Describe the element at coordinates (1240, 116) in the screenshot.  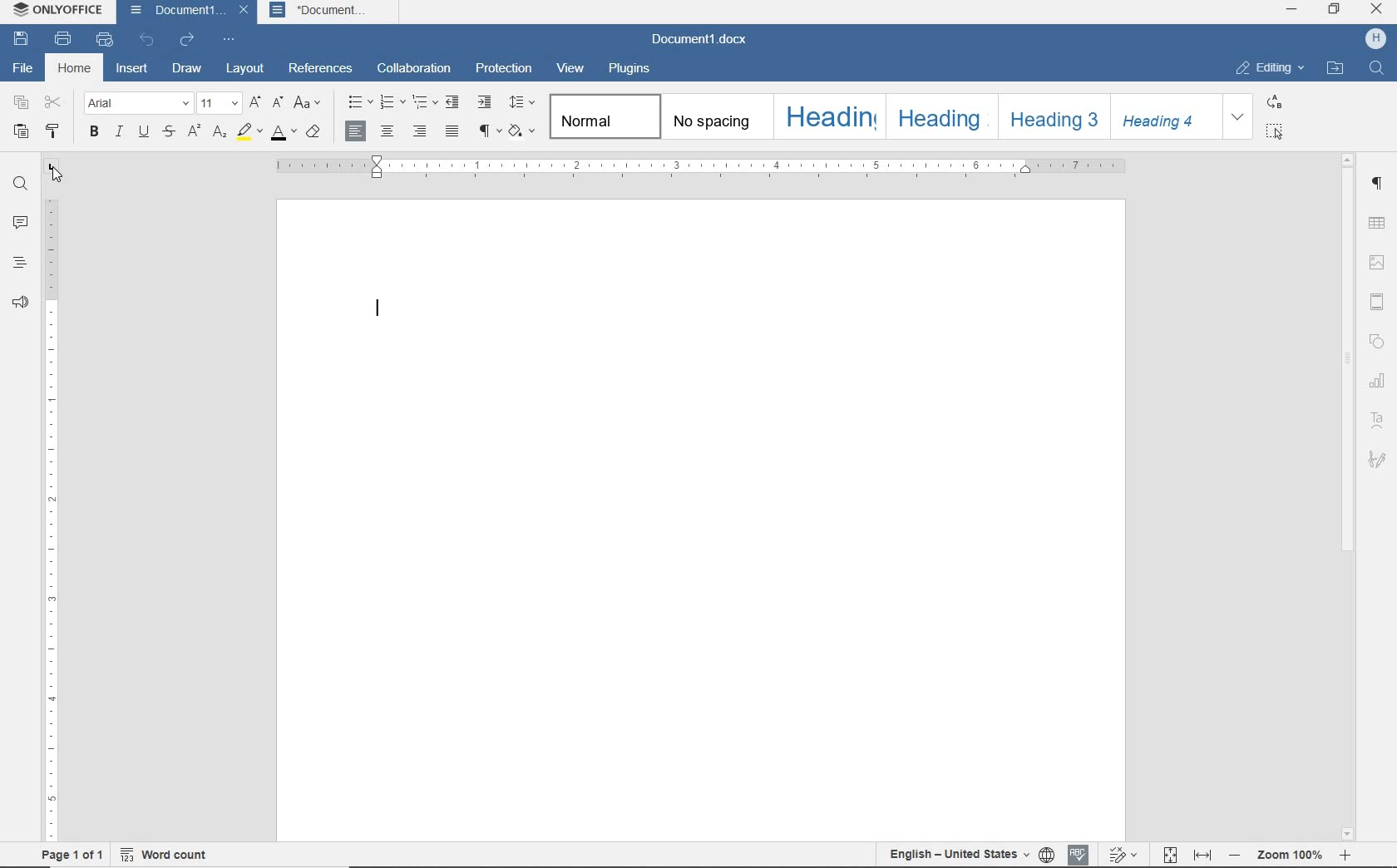
I see `EXPAND` at that location.